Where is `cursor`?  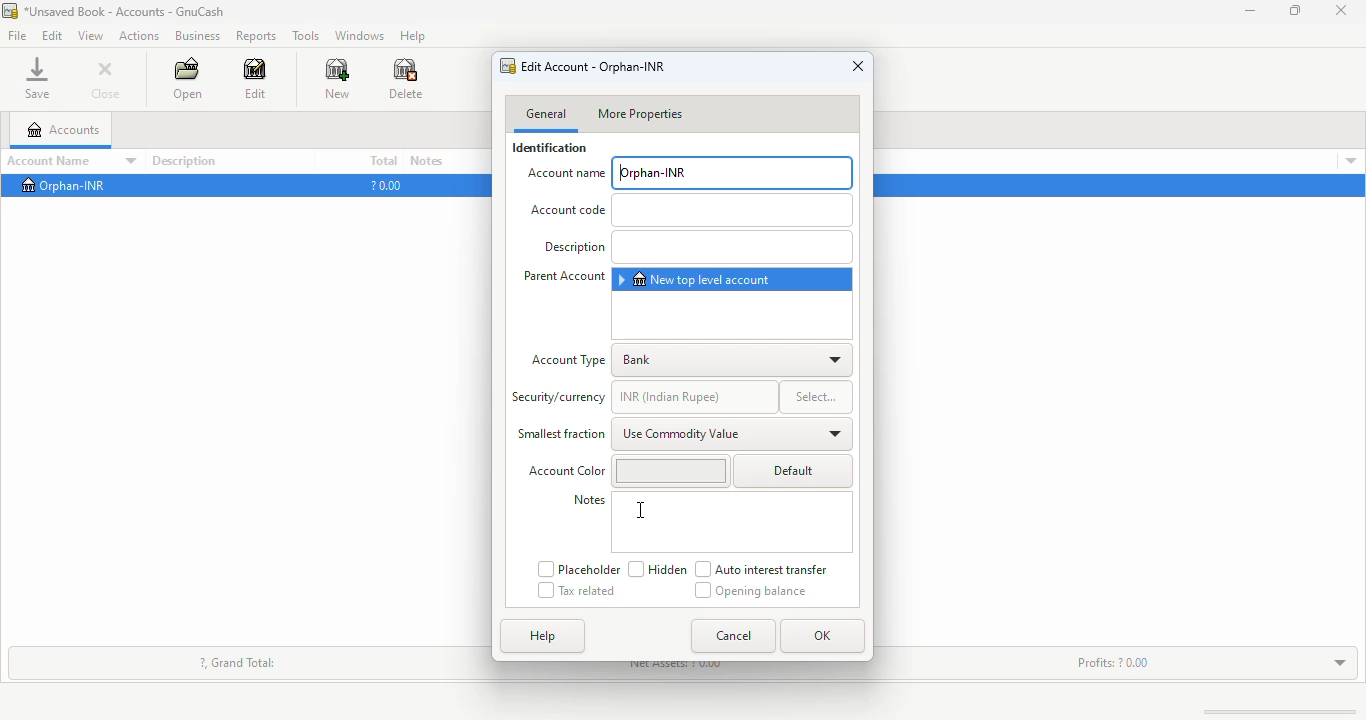 cursor is located at coordinates (639, 510).